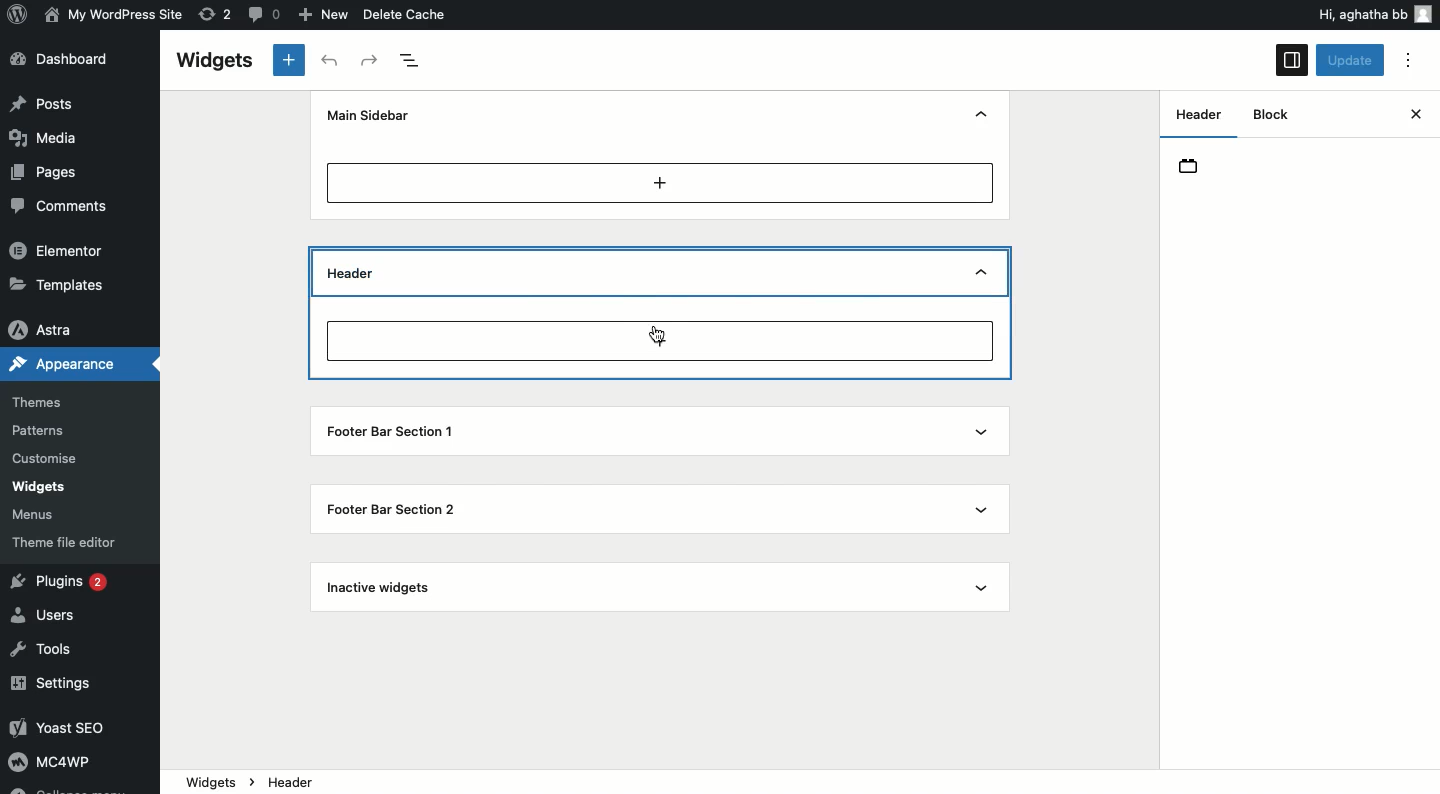 This screenshot has height=794, width=1440. What do you see at coordinates (383, 271) in the screenshot?
I see `Header` at bounding box center [383, 271].